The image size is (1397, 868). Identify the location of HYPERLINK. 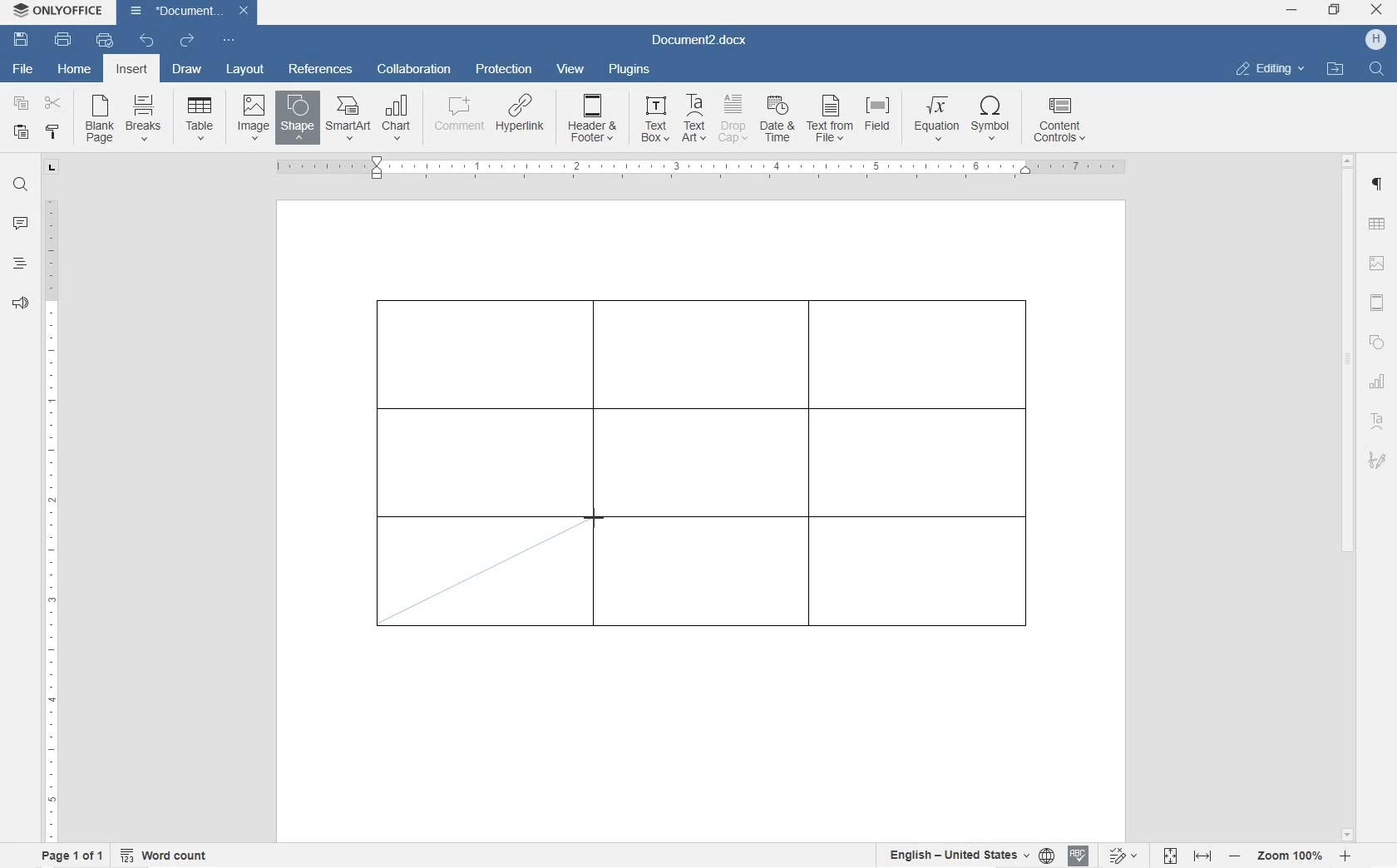
(521, 119).